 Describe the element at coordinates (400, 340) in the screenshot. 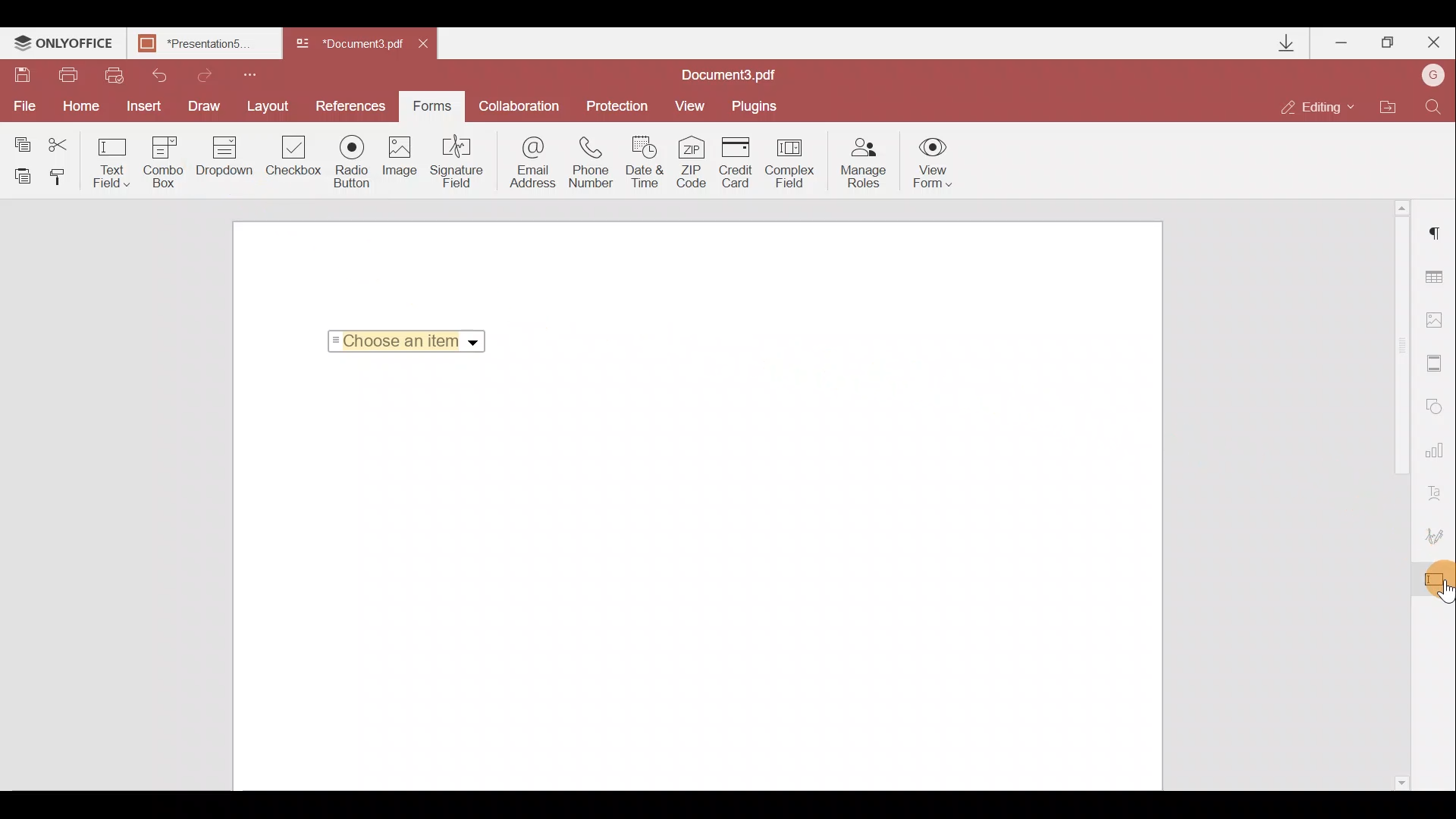

I see `Selected Item` at that location.